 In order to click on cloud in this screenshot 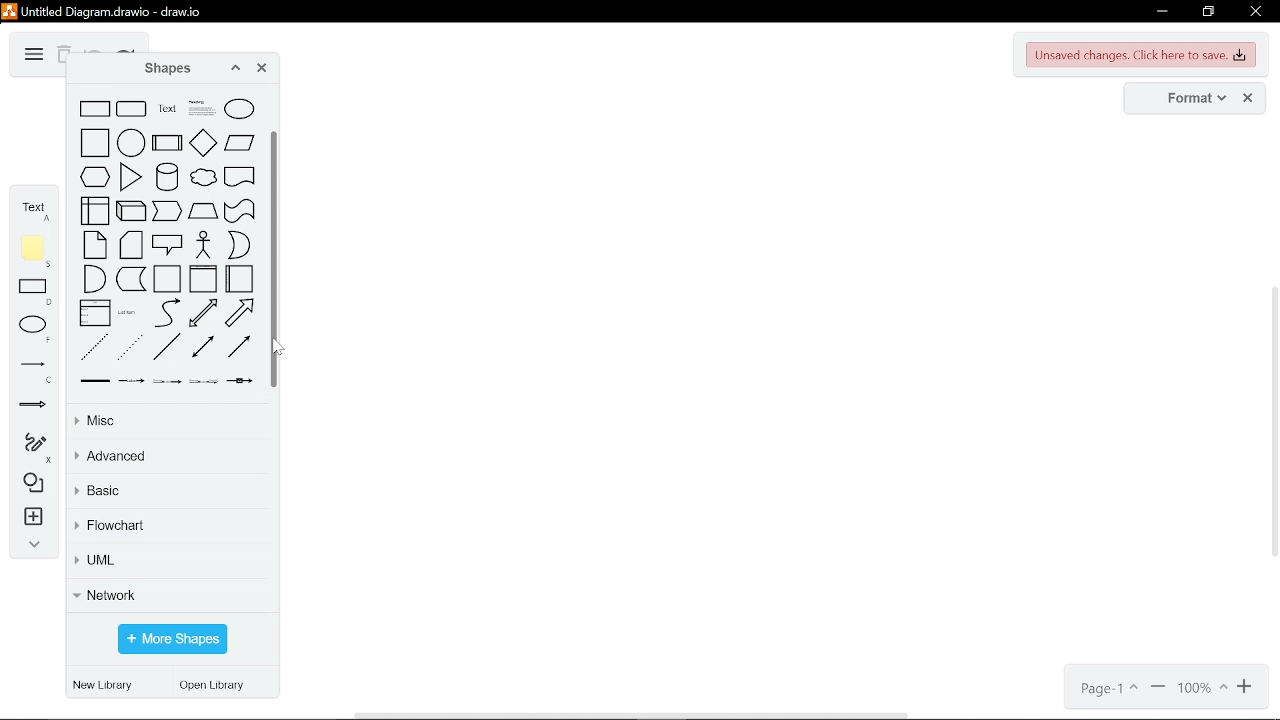, I will do `click(203, 177)`.